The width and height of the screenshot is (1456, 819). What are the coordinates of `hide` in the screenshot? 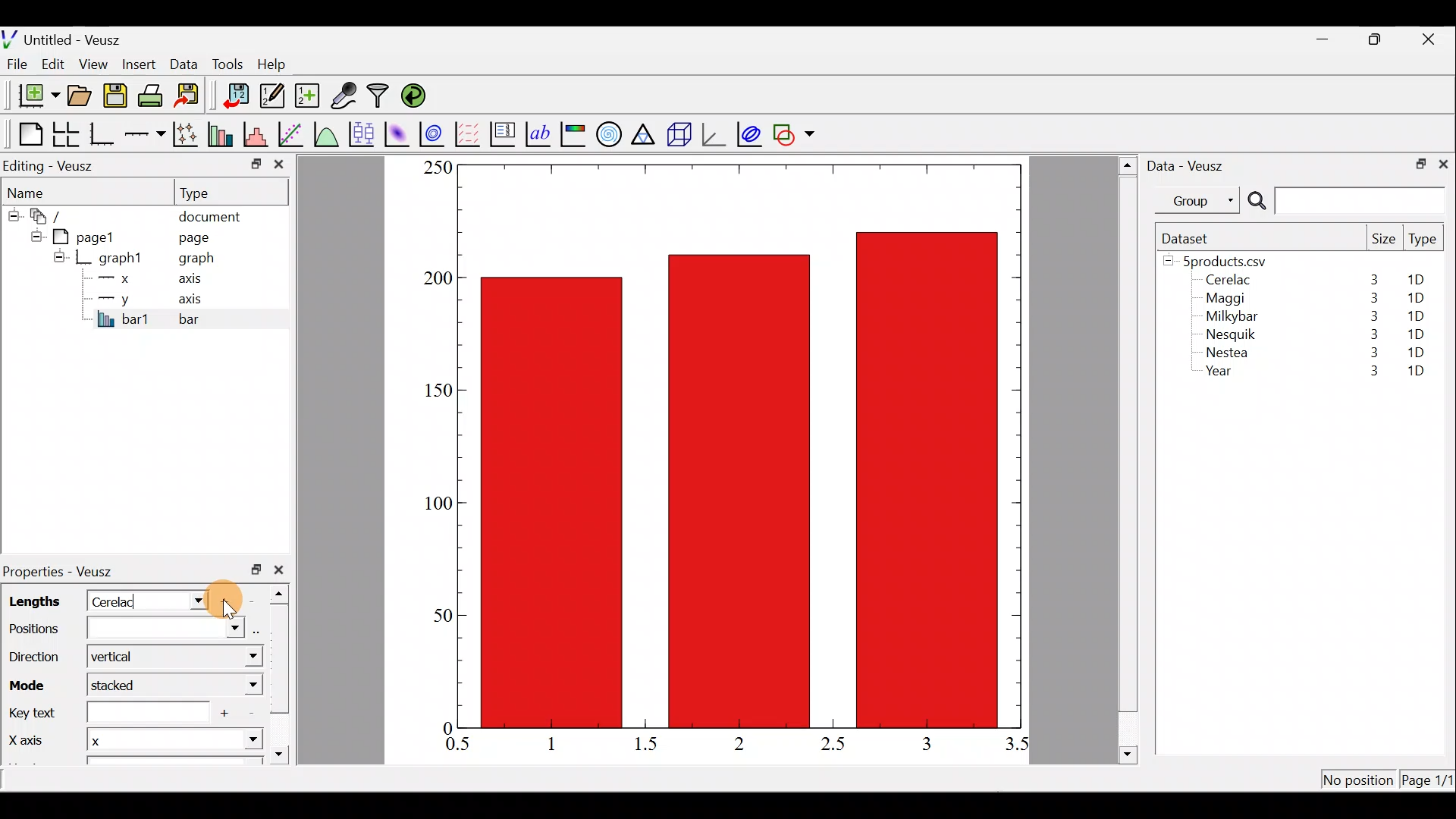 It's located at (33, 234).